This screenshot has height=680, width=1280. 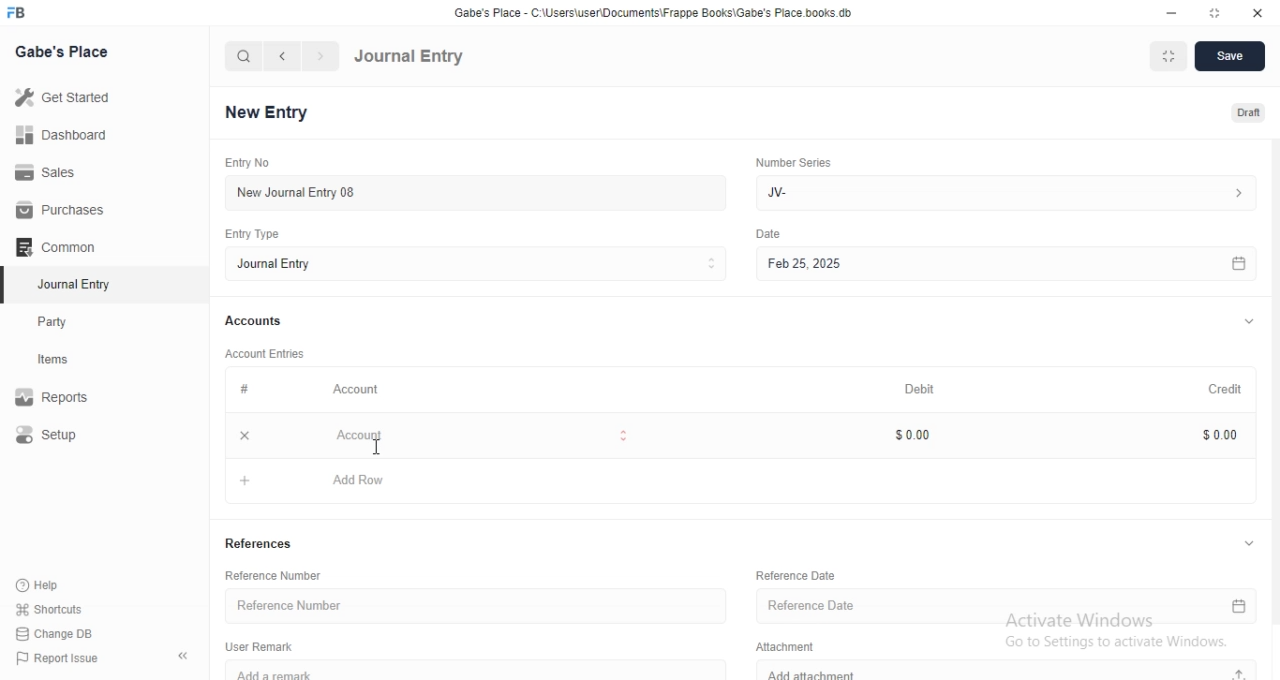 I want to click on Report Issue, so click(x=67, y=658).